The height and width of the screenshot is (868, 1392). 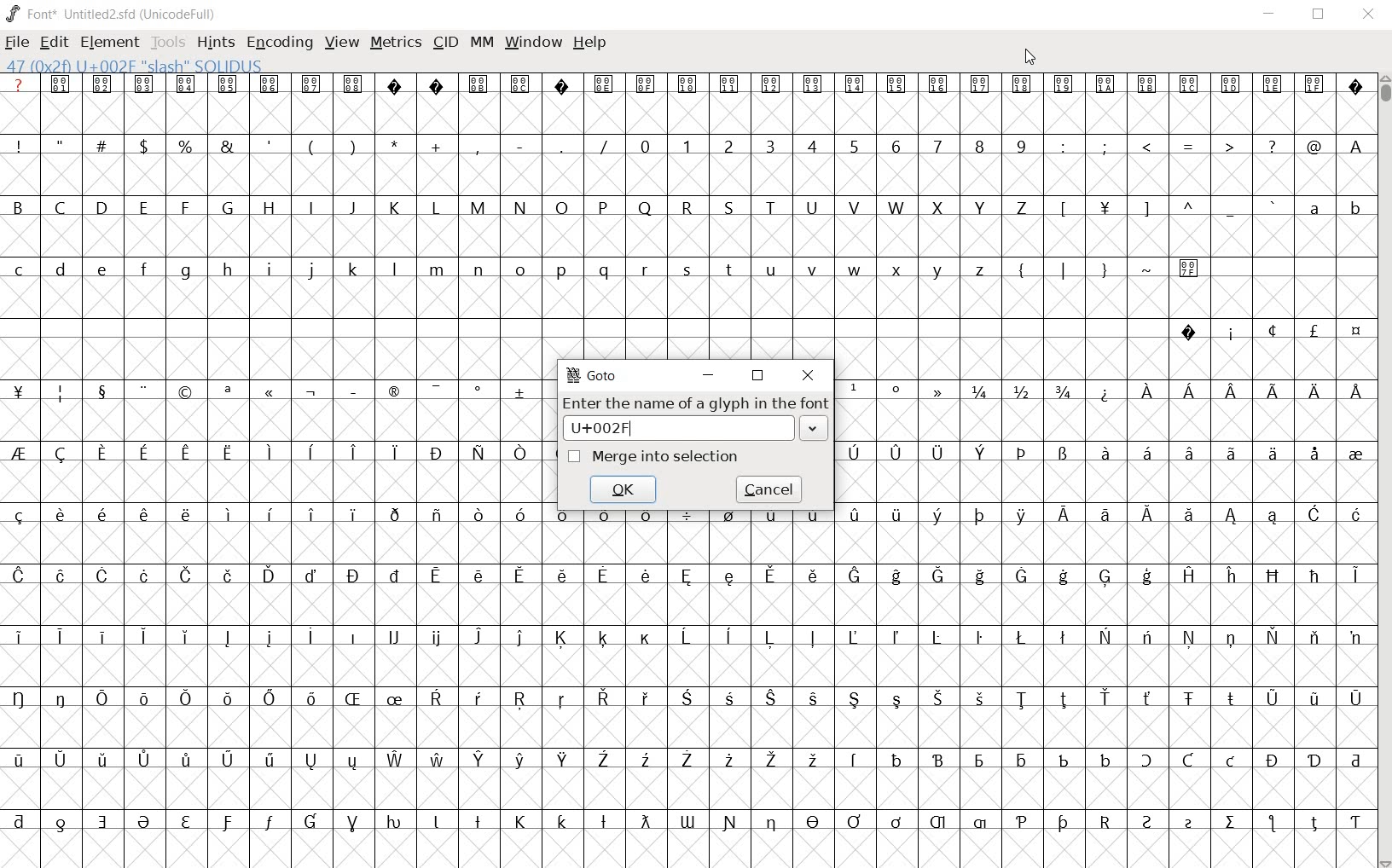 I want to click on CURSOR, so click(x=1383, y=472).